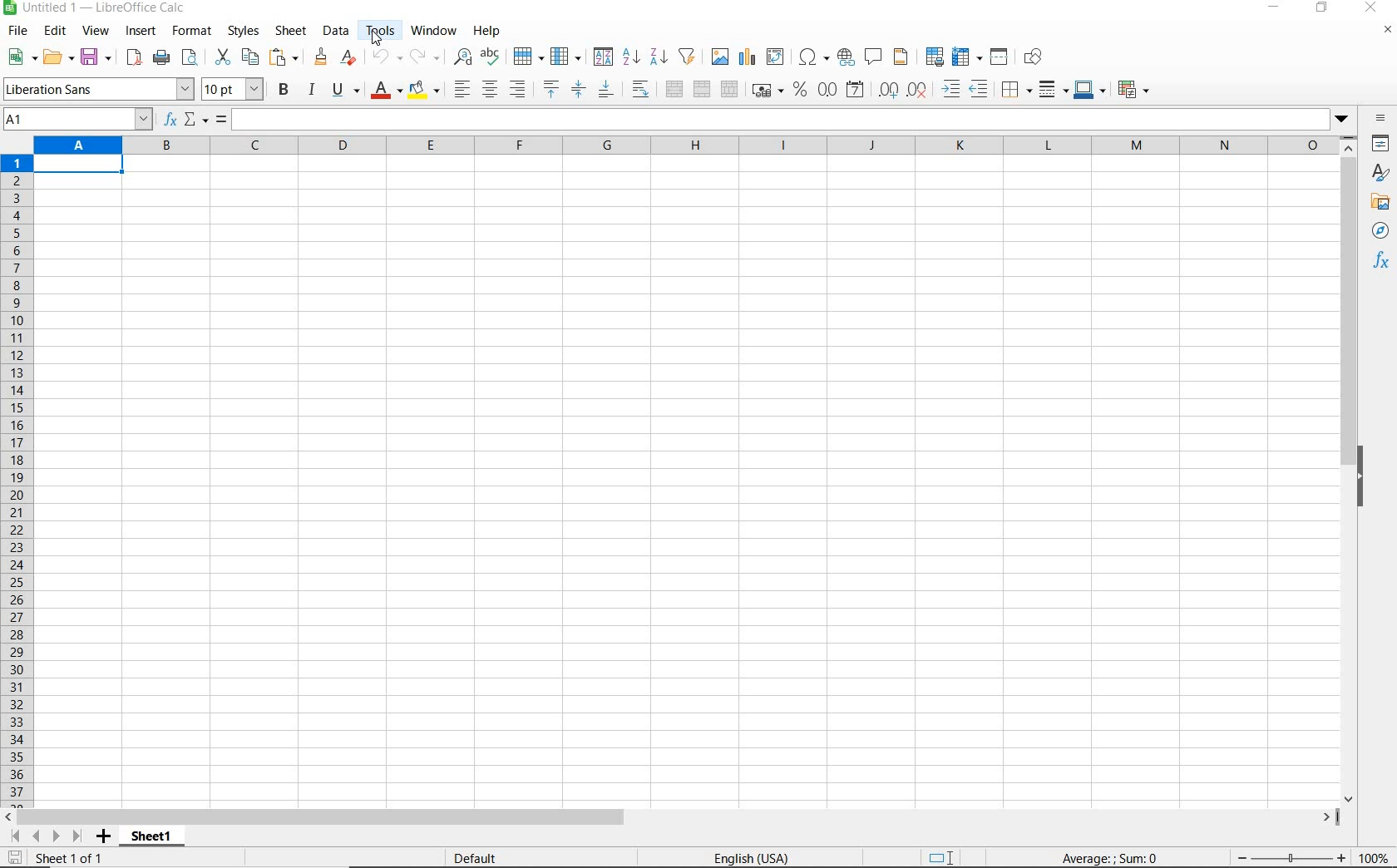 The height and width of the screenshot is (868, 1397). Describe the element at coordinates (1346, 469) in the screenshot. I see `SCROLLBAR` at that location.